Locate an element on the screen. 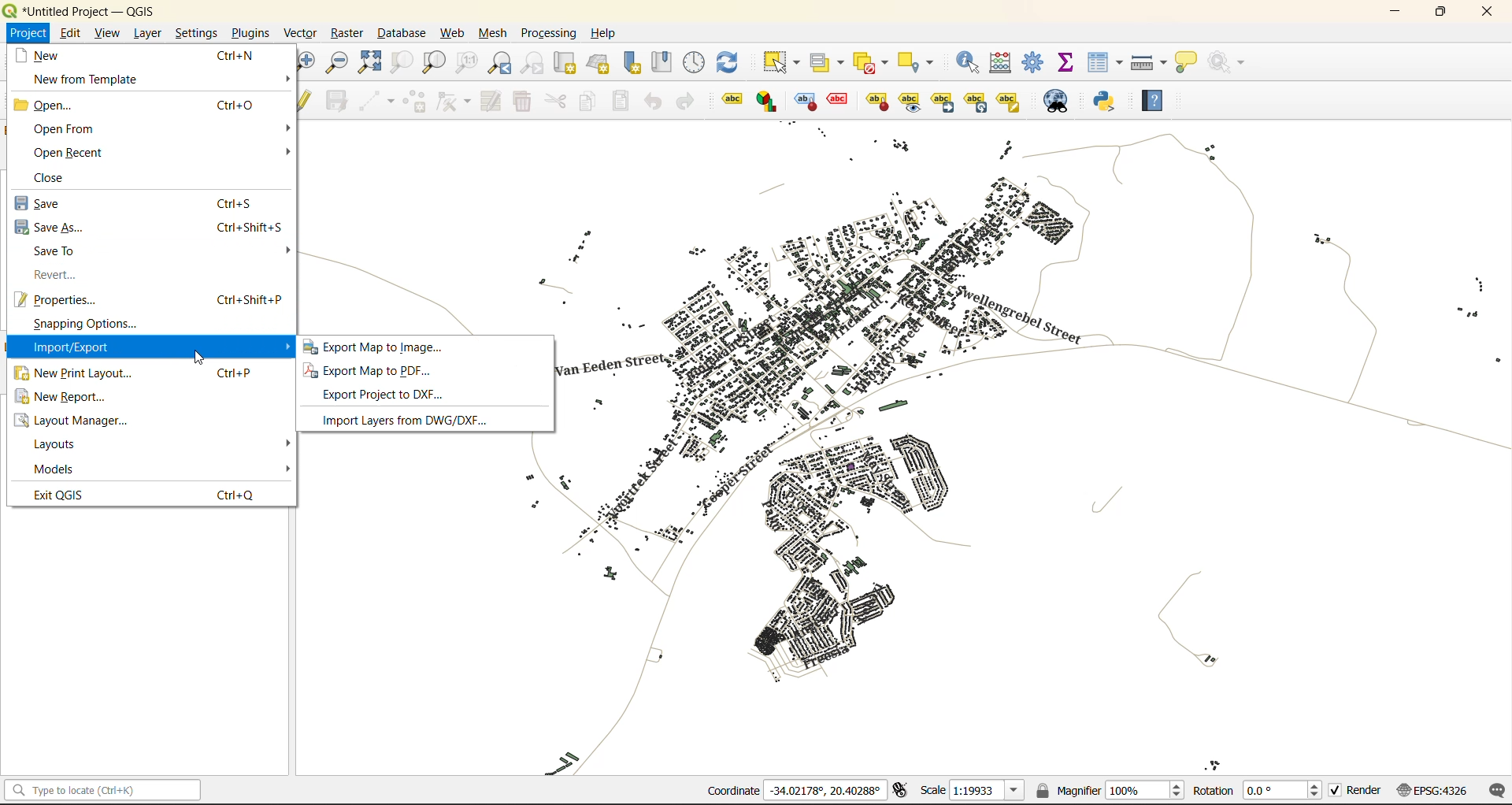 This screenshot has width=1512, height=805. open is located at coordinates (50, 104).